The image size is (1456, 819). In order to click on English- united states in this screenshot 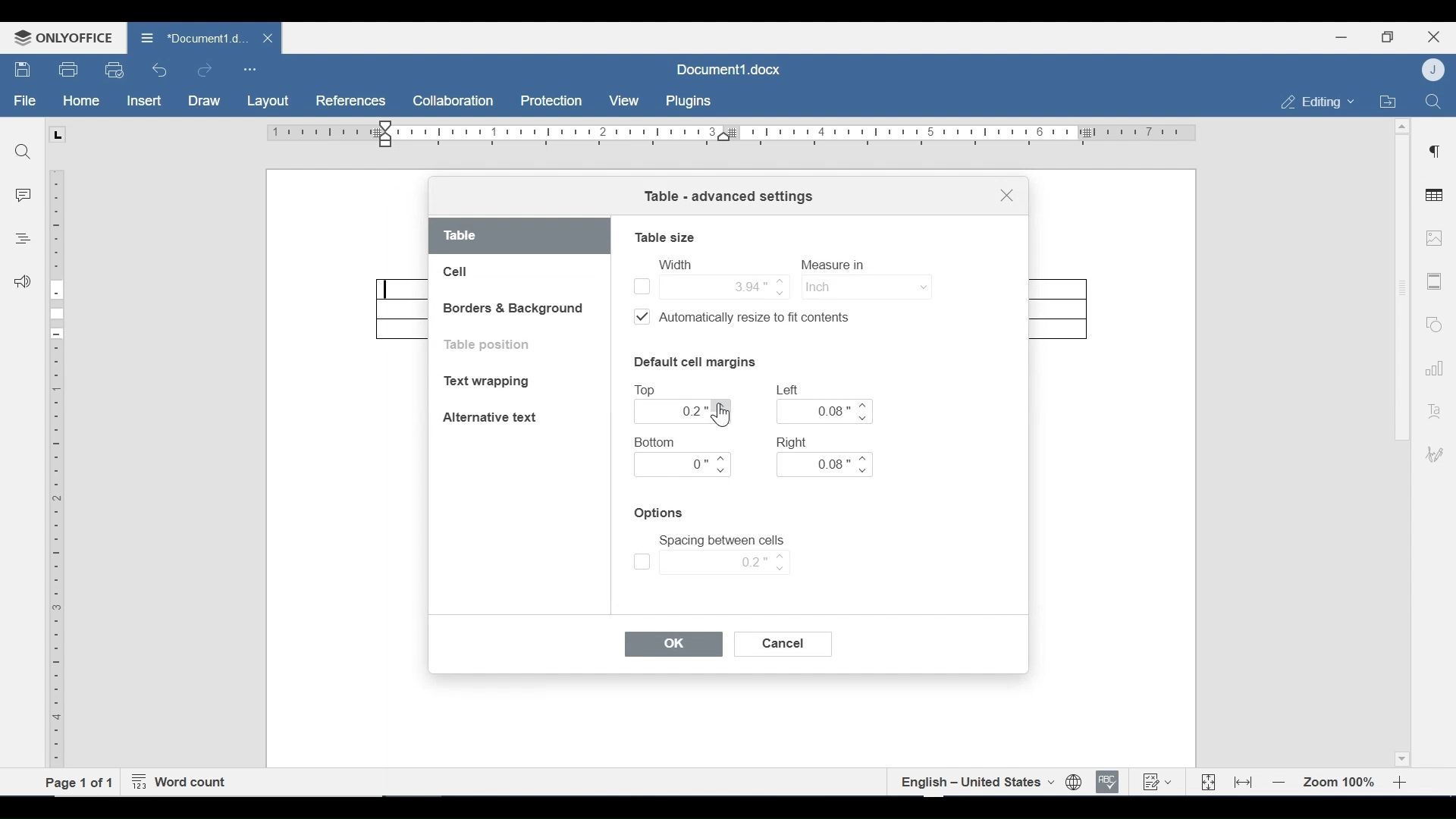, I will do `click(976, 782)`.